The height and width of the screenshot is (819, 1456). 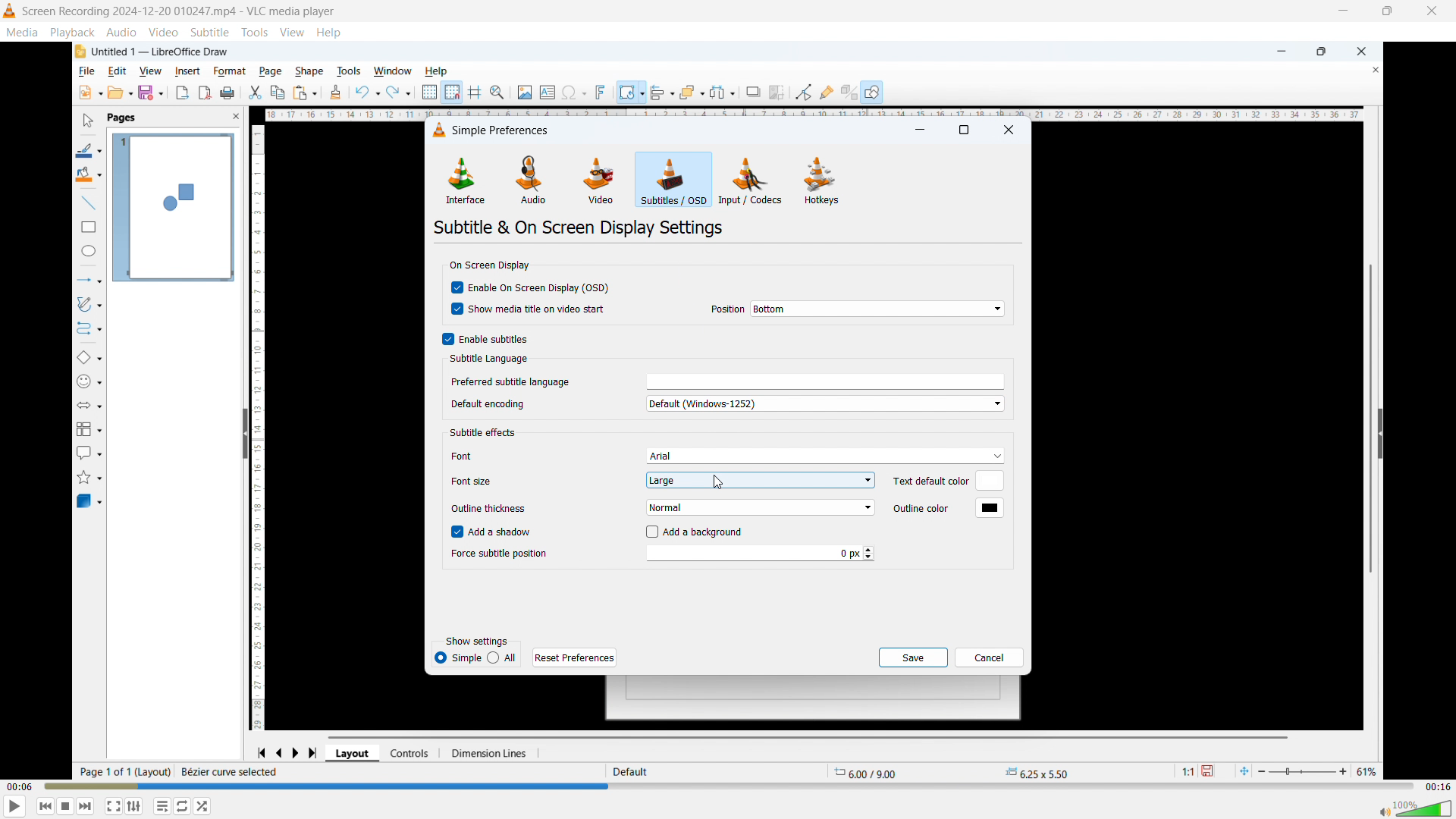 What do you see at coordinates (66, 806) in the screenshot?
I see `Stop playing ` at bounding box center [66, 806].